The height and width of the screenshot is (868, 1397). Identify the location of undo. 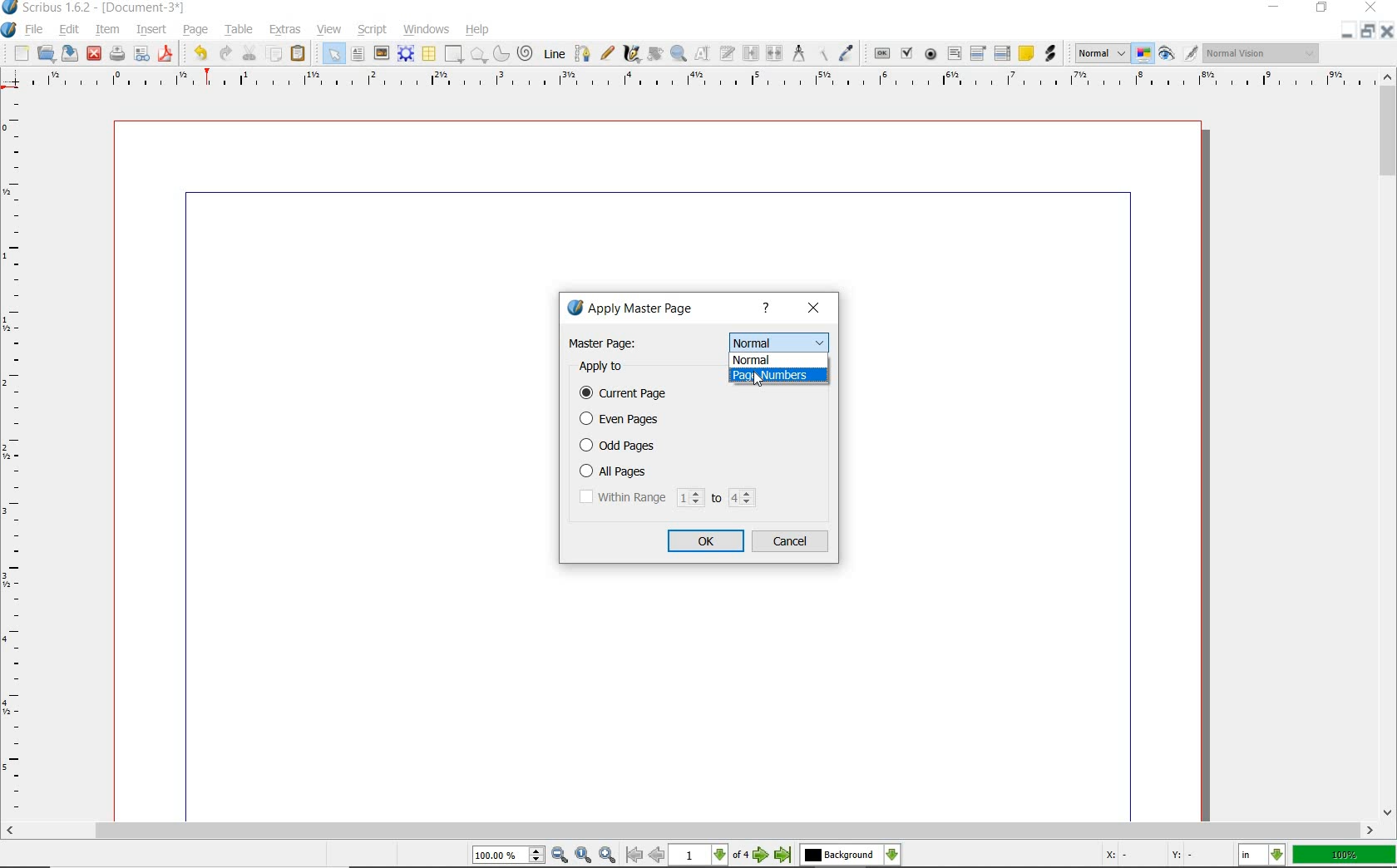
(197, 53).